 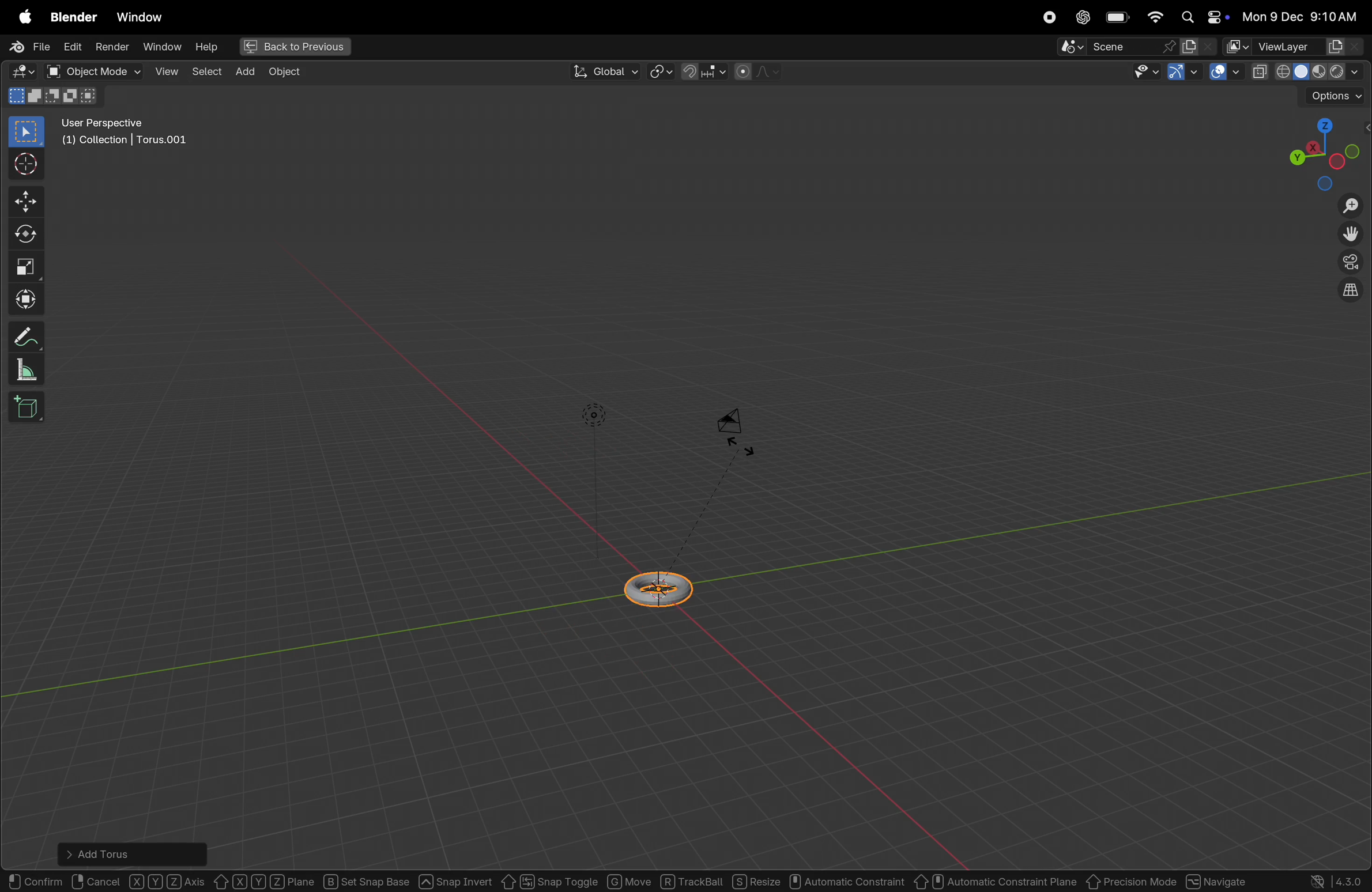 I want to click on confirm, so click(x=36, y=879).